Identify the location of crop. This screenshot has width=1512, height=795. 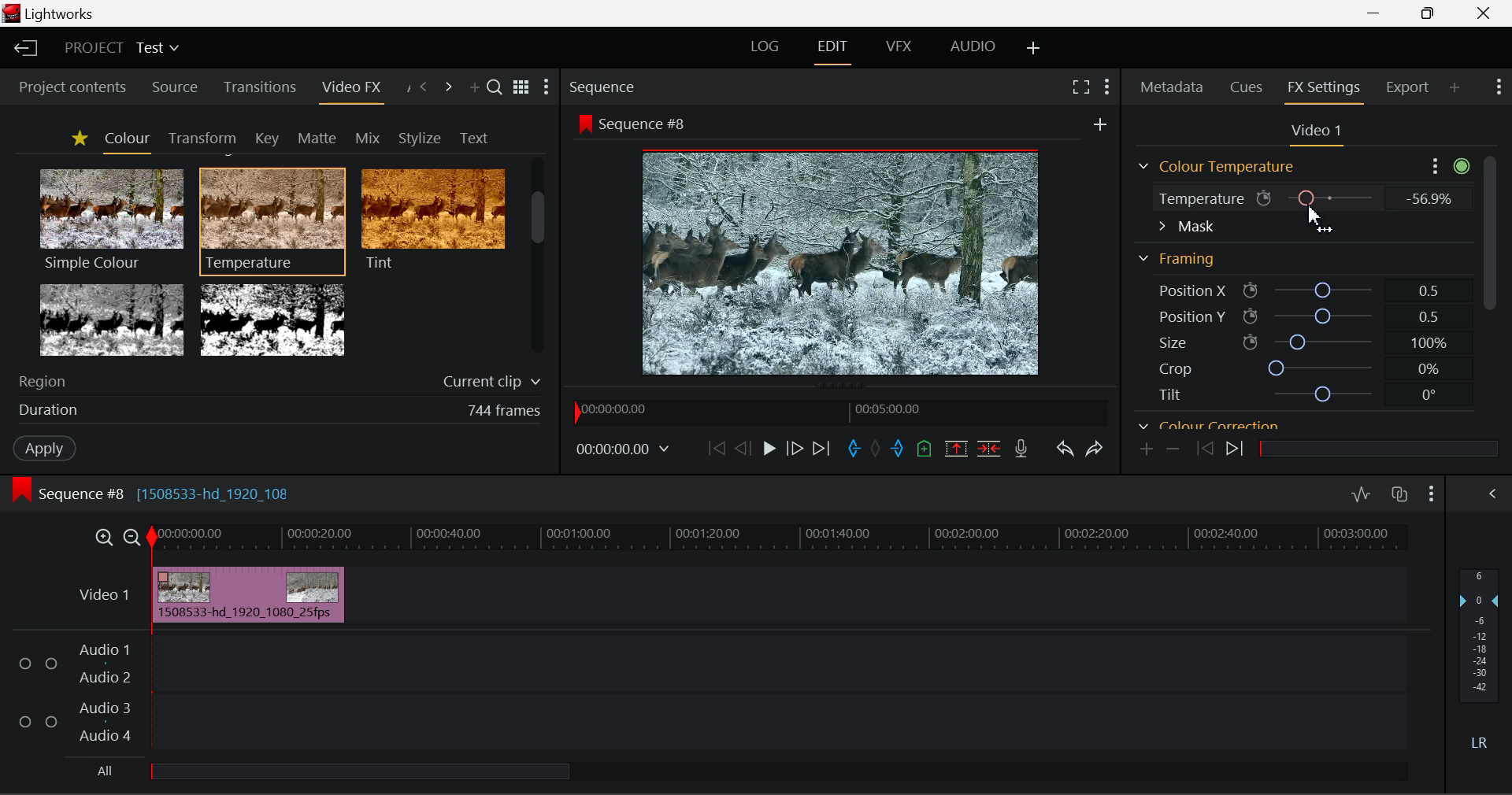
(1323, 367).